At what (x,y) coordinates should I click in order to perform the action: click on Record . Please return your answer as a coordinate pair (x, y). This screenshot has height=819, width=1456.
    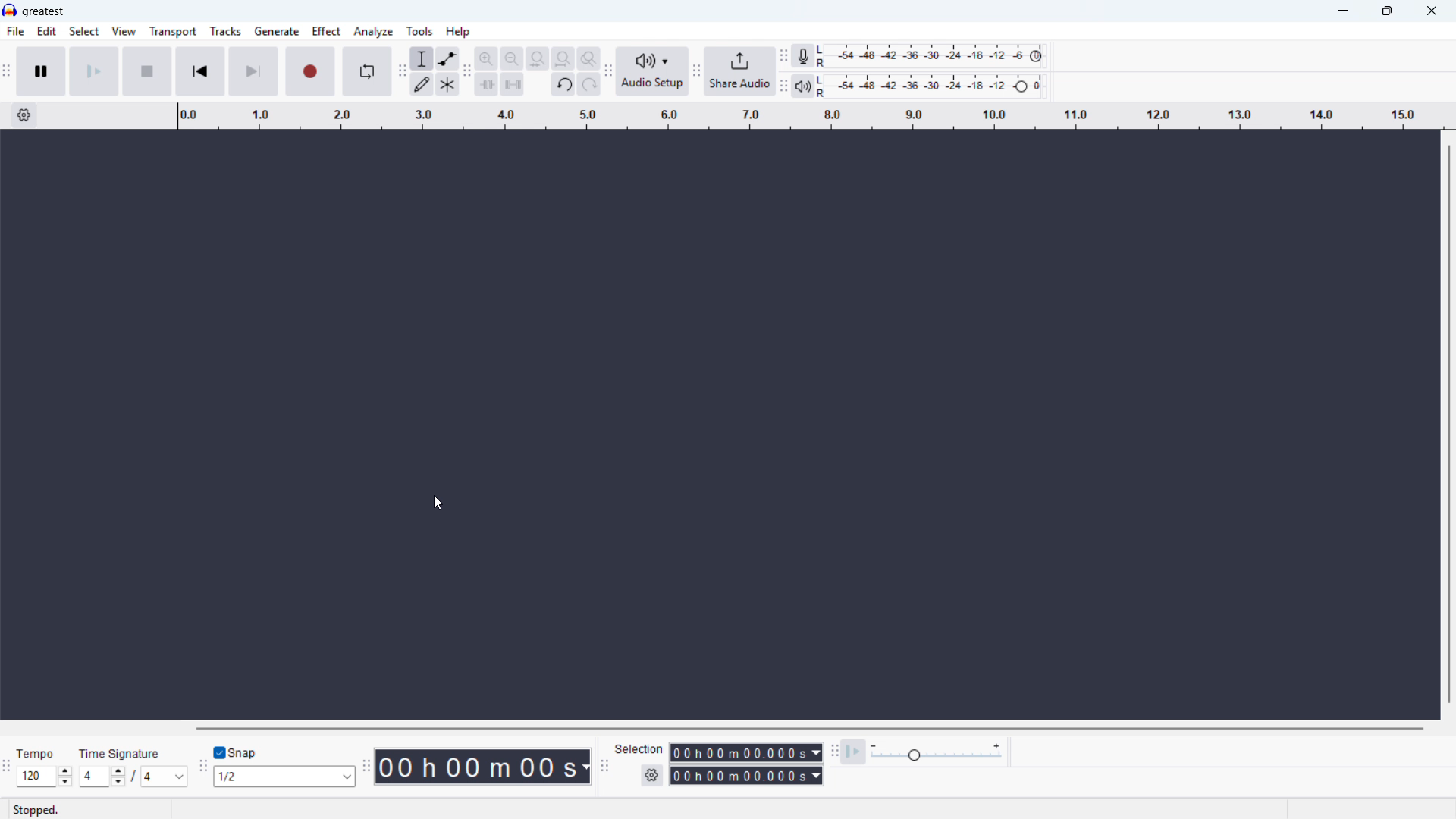
    Looking at the image, I should click on (309, 71).